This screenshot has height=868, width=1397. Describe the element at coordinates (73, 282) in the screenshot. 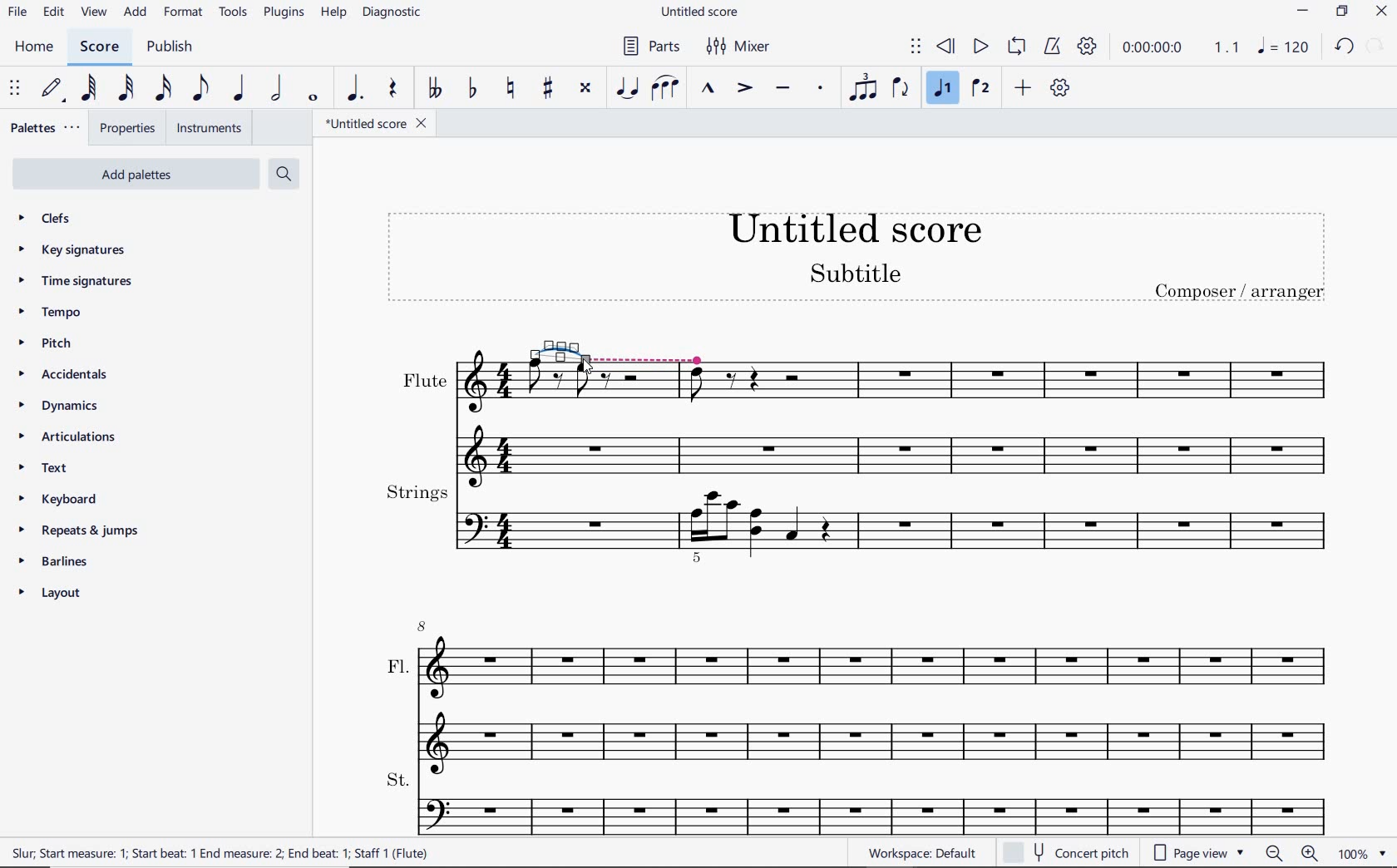

I see `time signatures` at that location.